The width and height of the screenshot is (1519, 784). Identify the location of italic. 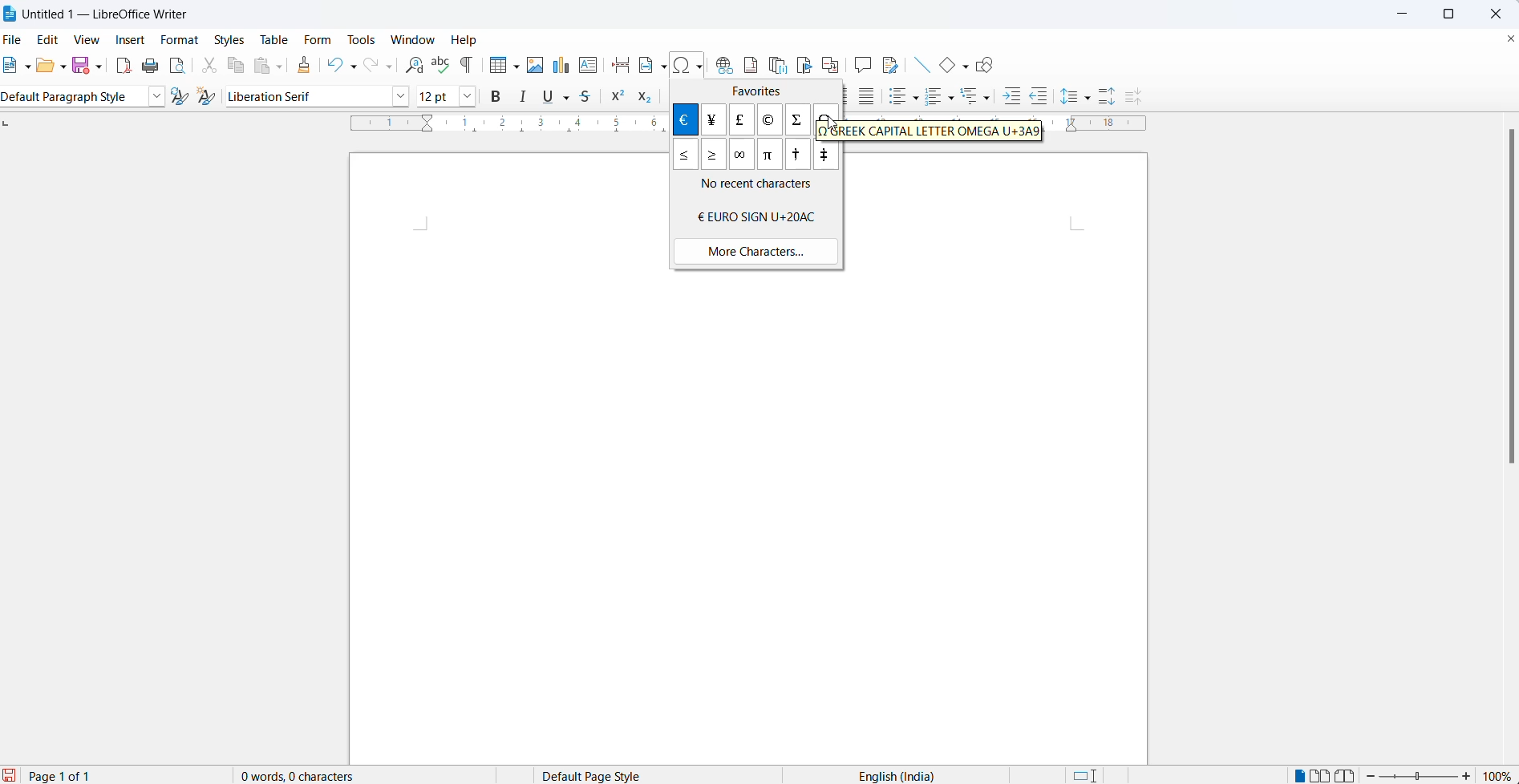
(526, 97).